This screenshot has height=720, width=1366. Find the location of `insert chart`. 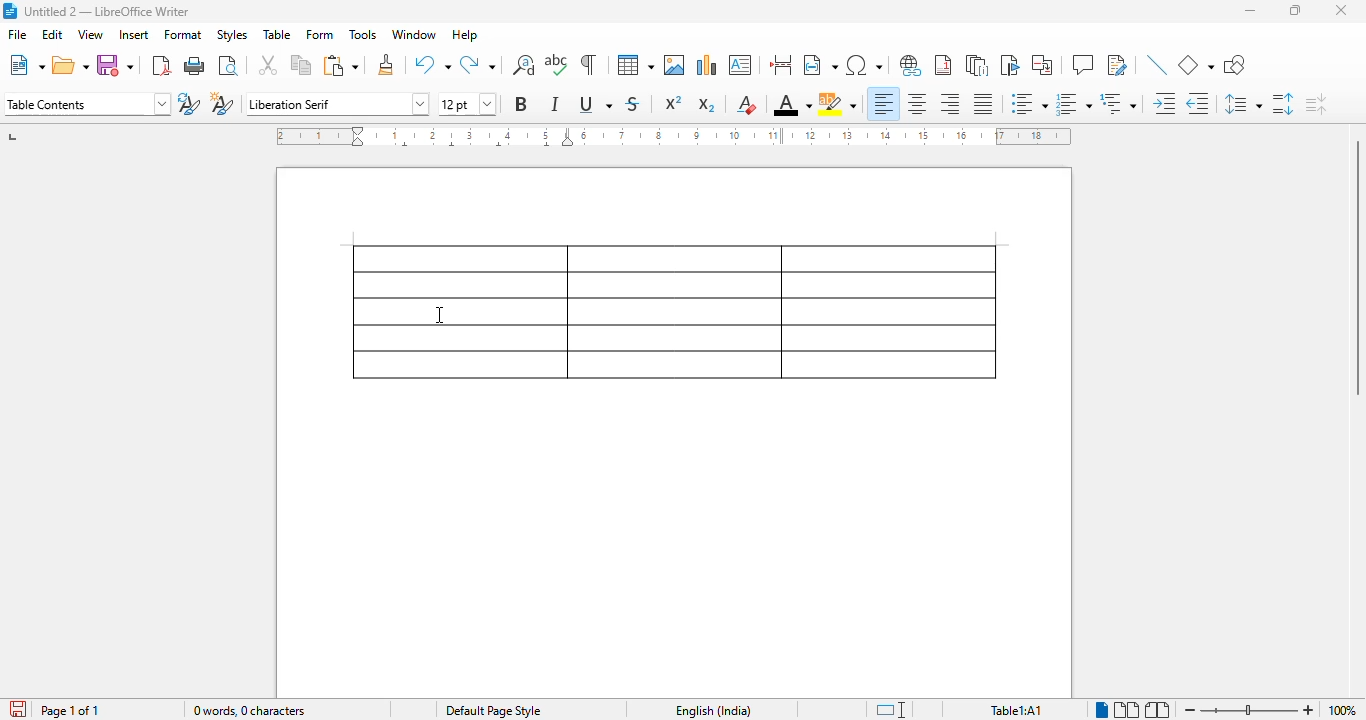

insert chart is located at coordinates (707, 65).